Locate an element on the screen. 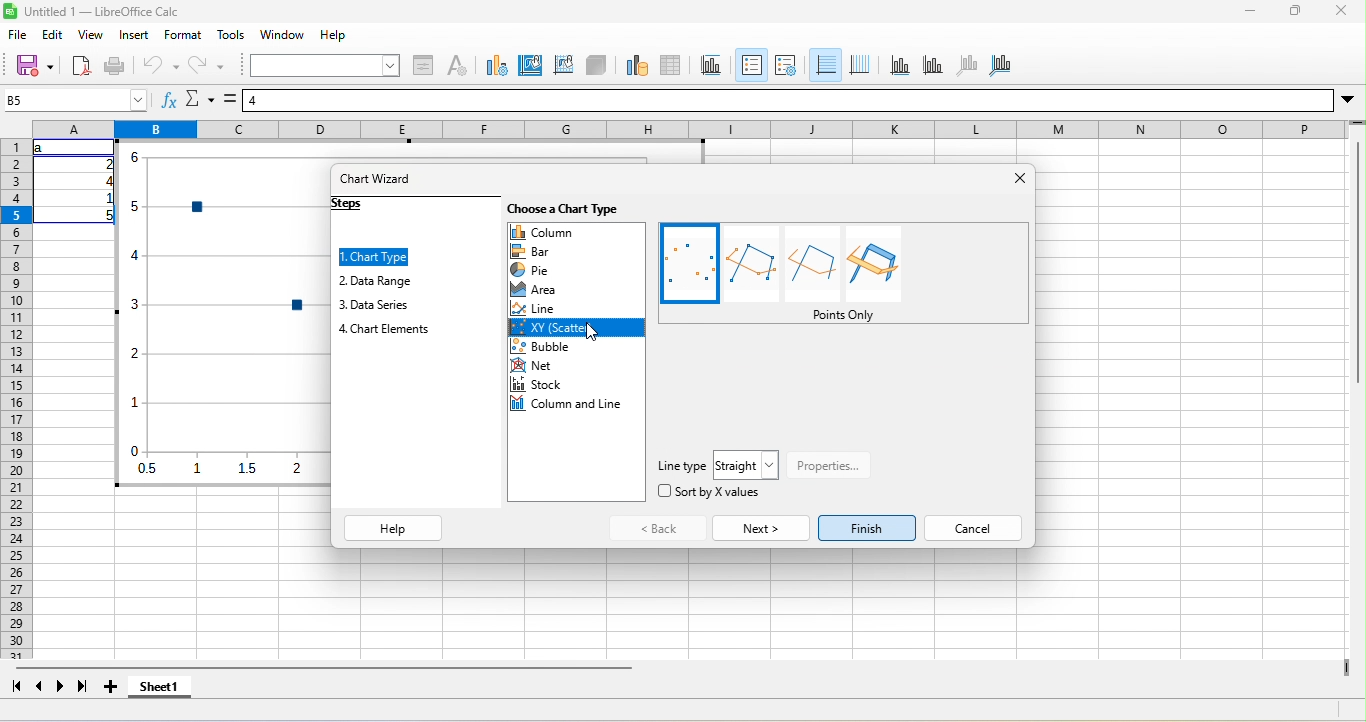 Image resolution: width=1366 pixels, height=722 pixels. points and line is located at coordinates (752, 264).